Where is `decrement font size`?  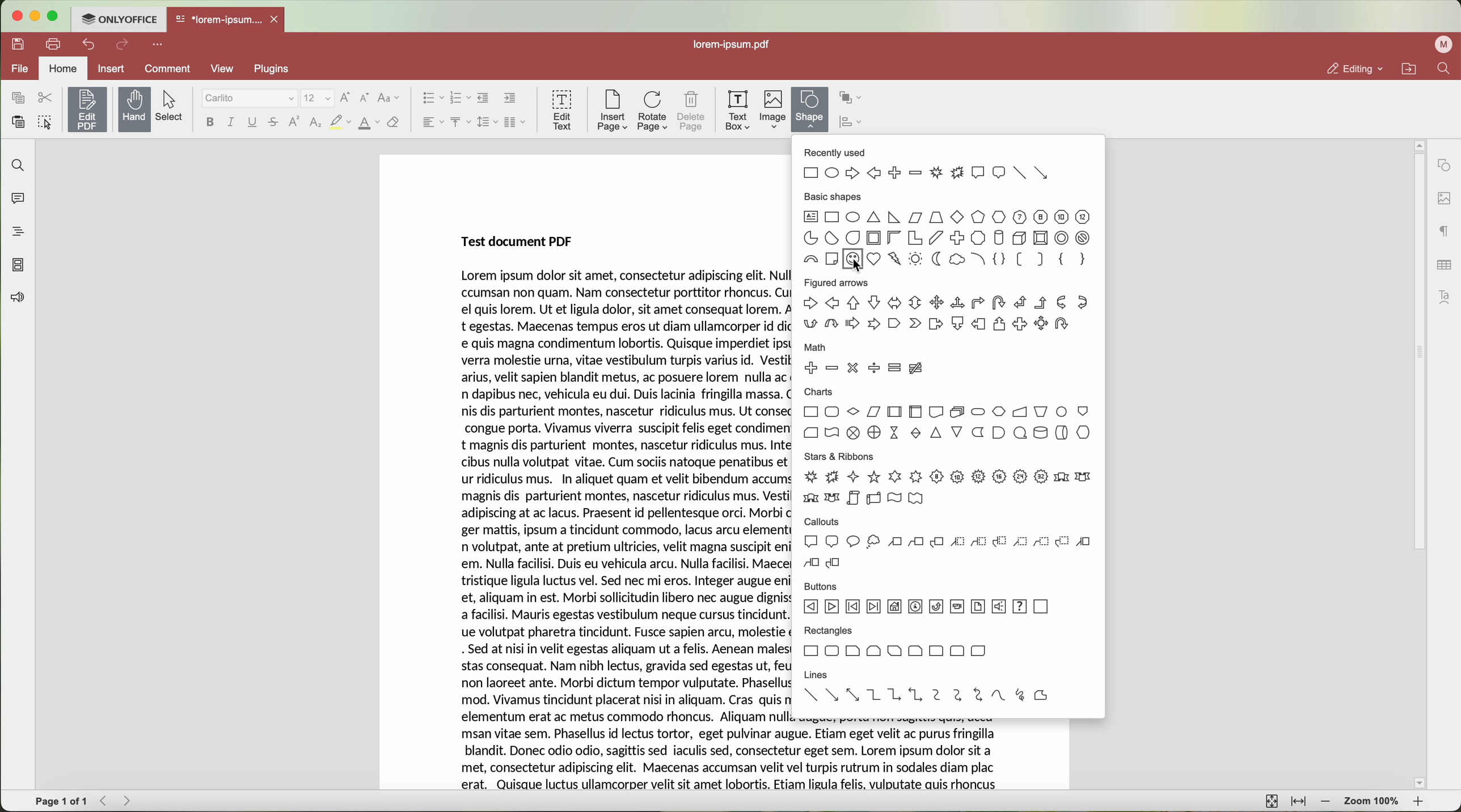 decrement font size is located at coordinates (364, 98).